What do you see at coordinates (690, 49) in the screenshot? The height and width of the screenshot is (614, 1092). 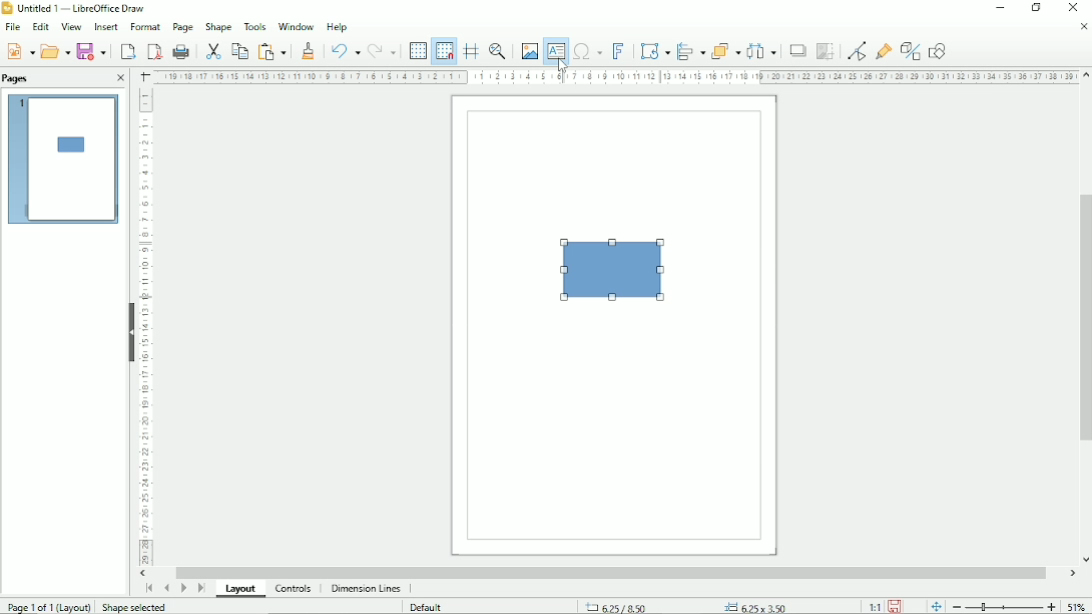 I see `Align objects` at bounding box center [690, 49].